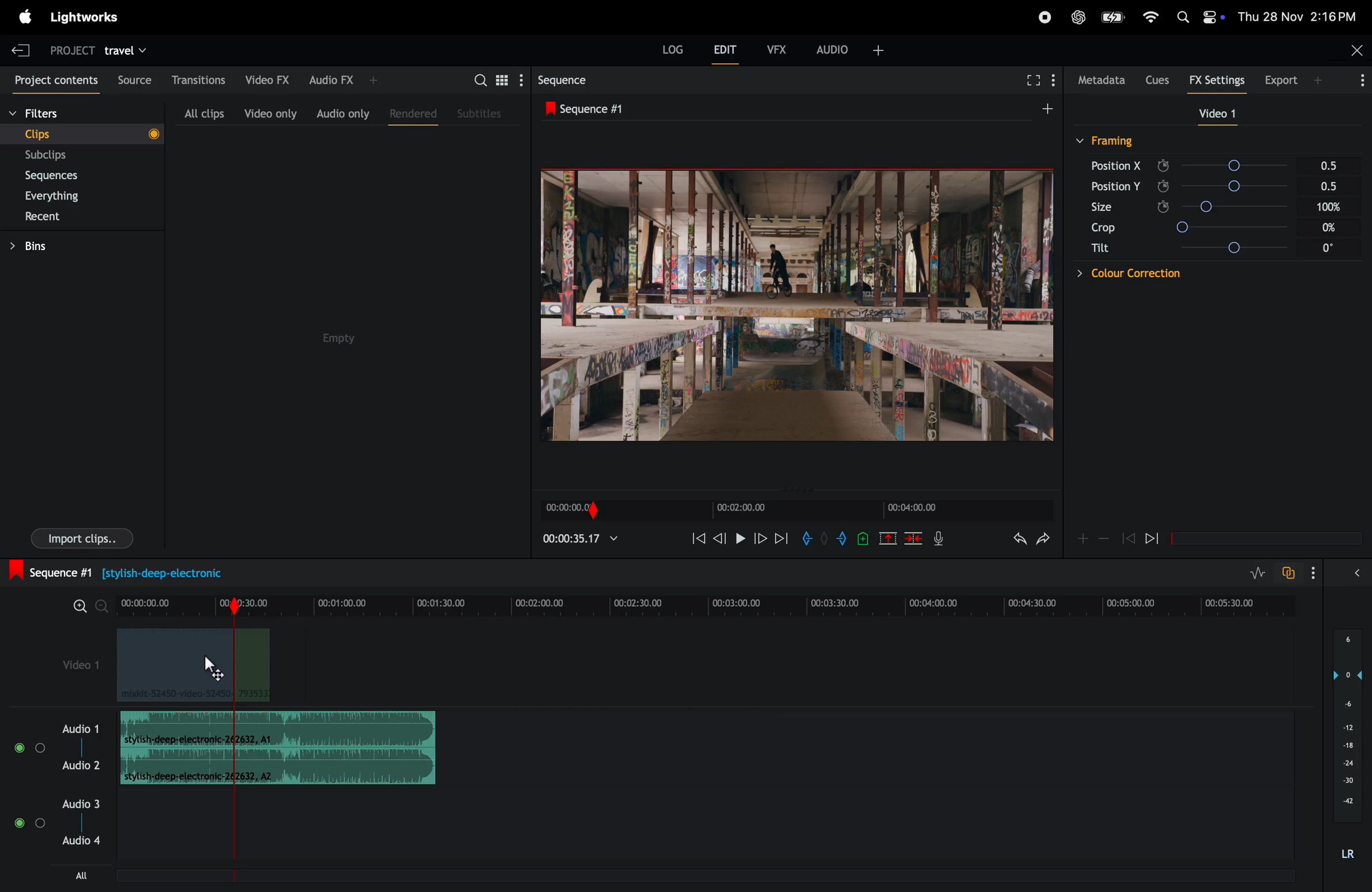  Describe the element at coordinates (1354, 52) in the screenshot. I see `close` at that location.